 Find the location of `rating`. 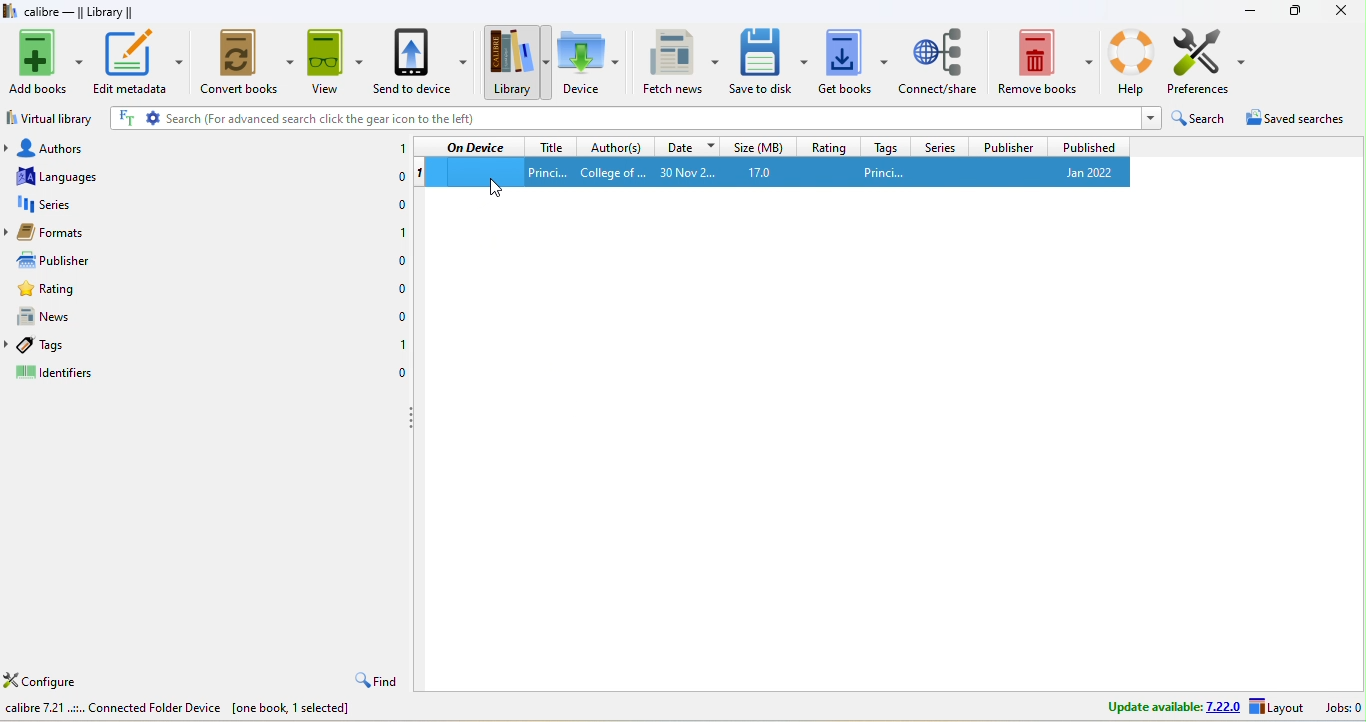

rating is located at coordinates (61, 290).